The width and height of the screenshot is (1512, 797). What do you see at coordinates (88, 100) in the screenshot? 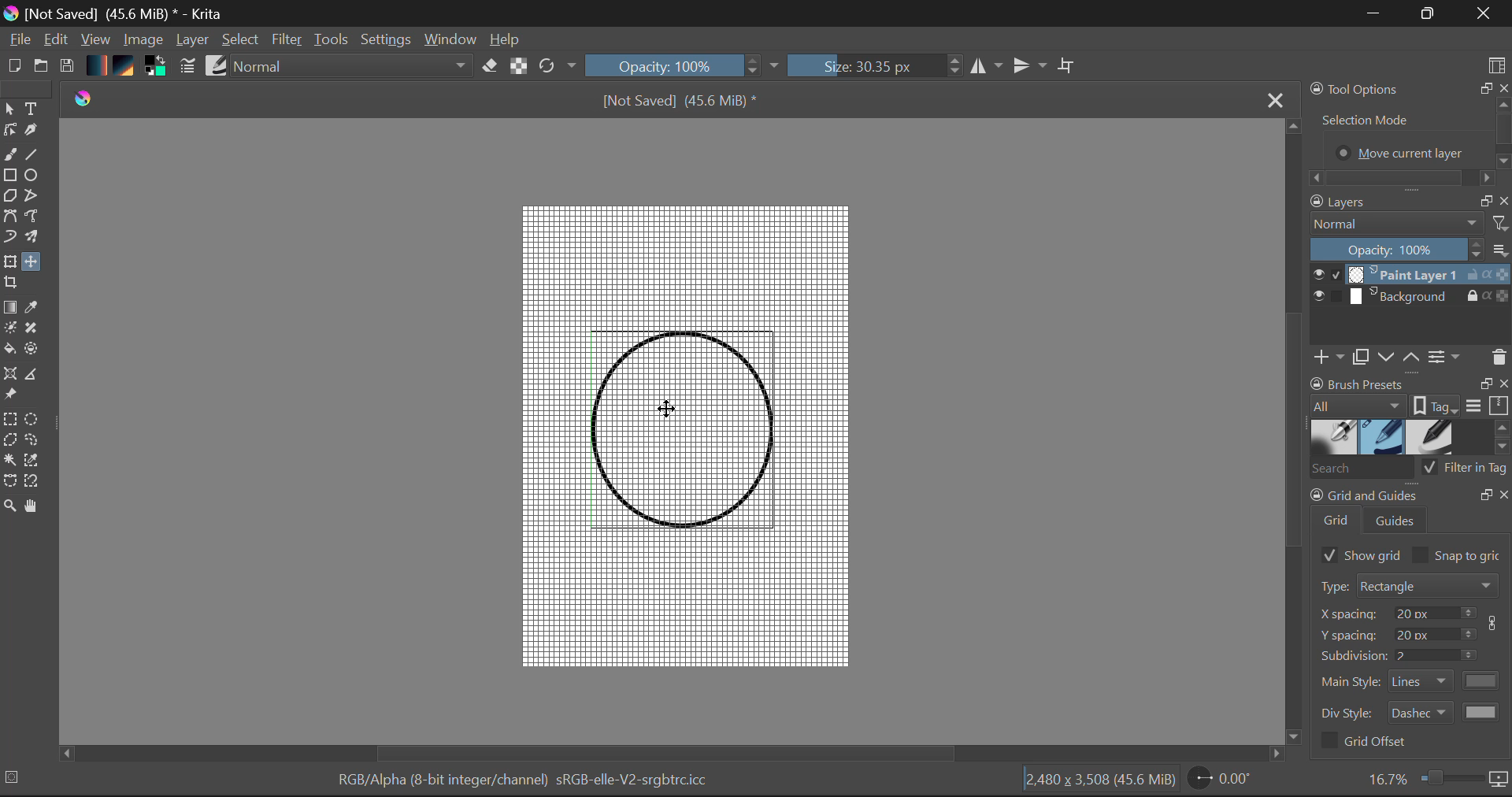
I see `logo` at bounding box center [88, 100].